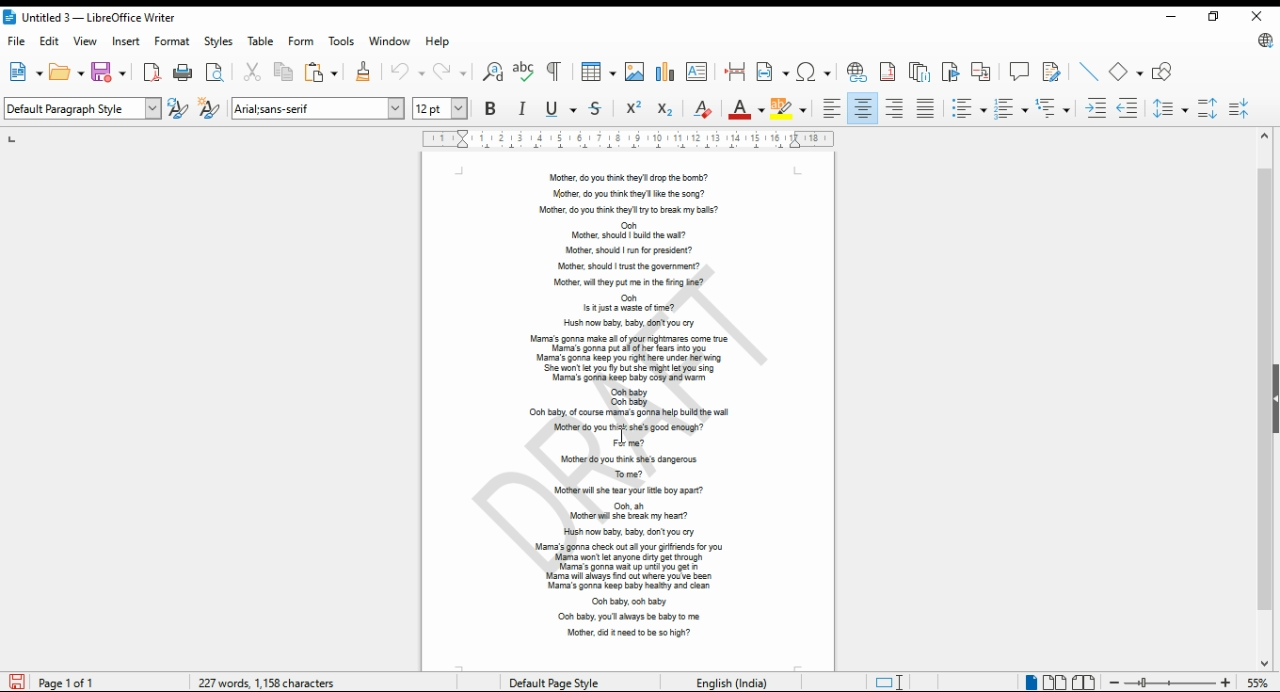  I want to click on cut, so click(254, 71).